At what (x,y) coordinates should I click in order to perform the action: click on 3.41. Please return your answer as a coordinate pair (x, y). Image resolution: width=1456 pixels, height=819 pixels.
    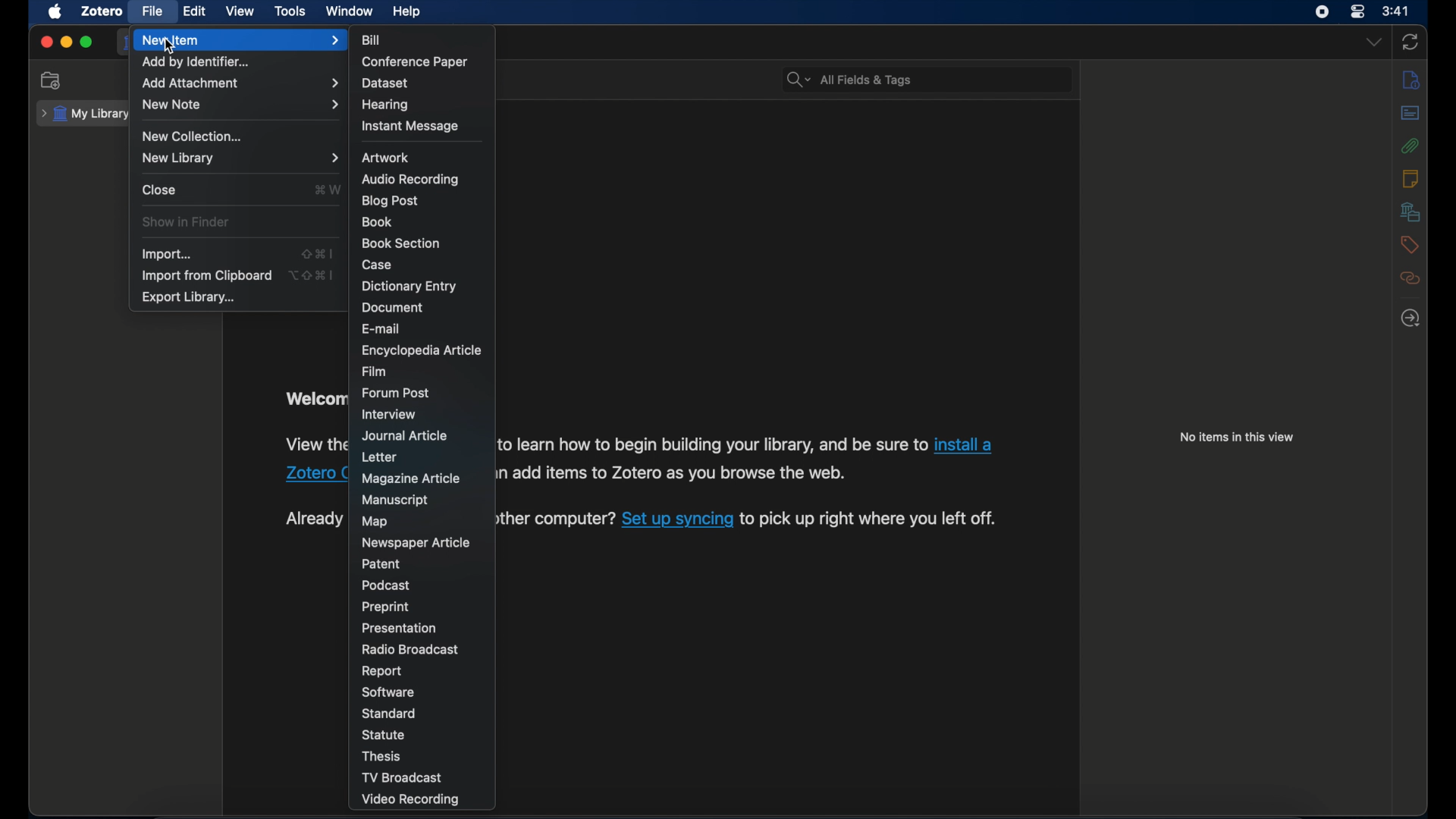
    Looking at the image, I should click on (1396, 12).